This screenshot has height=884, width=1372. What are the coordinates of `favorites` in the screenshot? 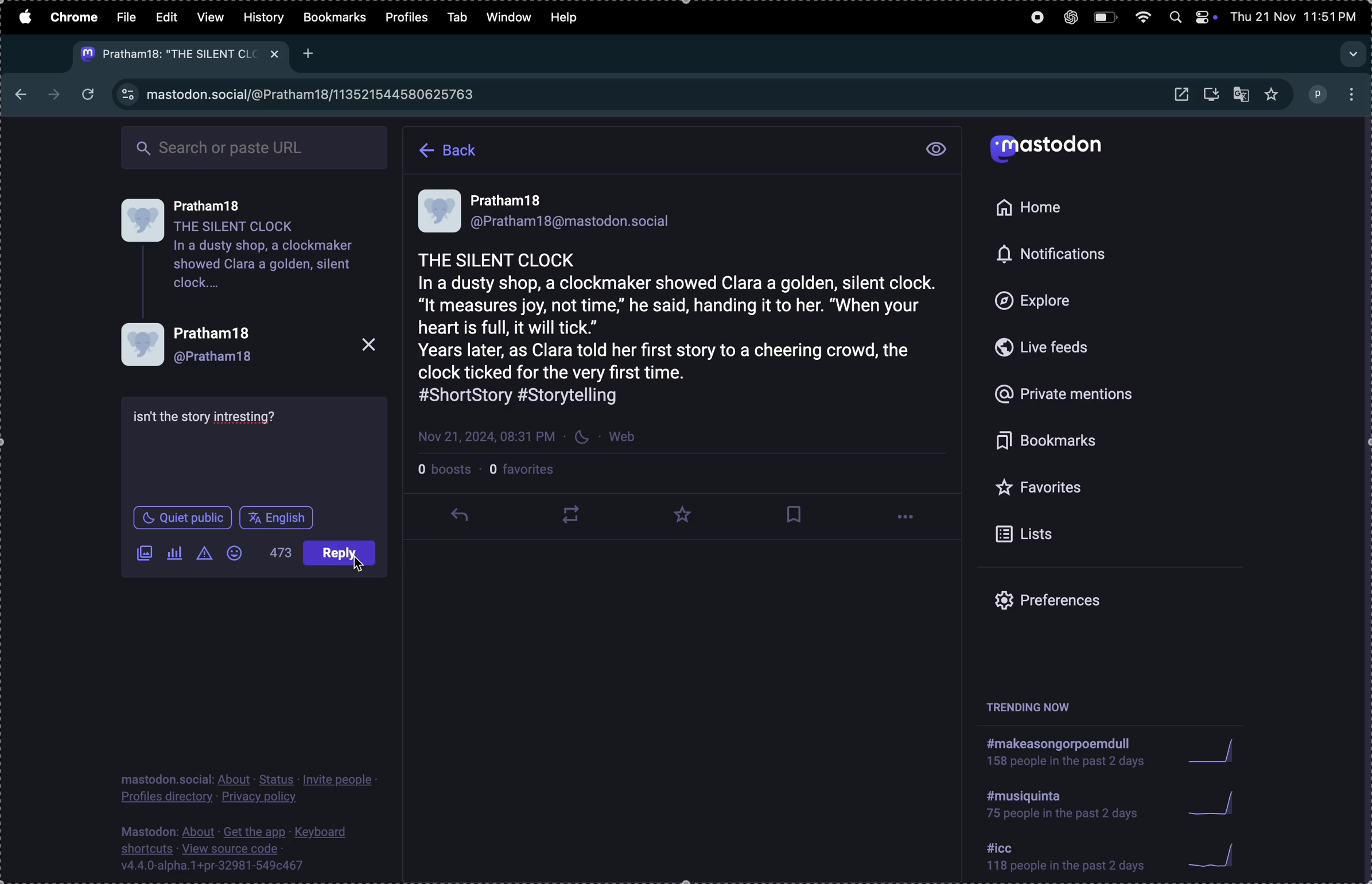 It's located at (1084, 489).